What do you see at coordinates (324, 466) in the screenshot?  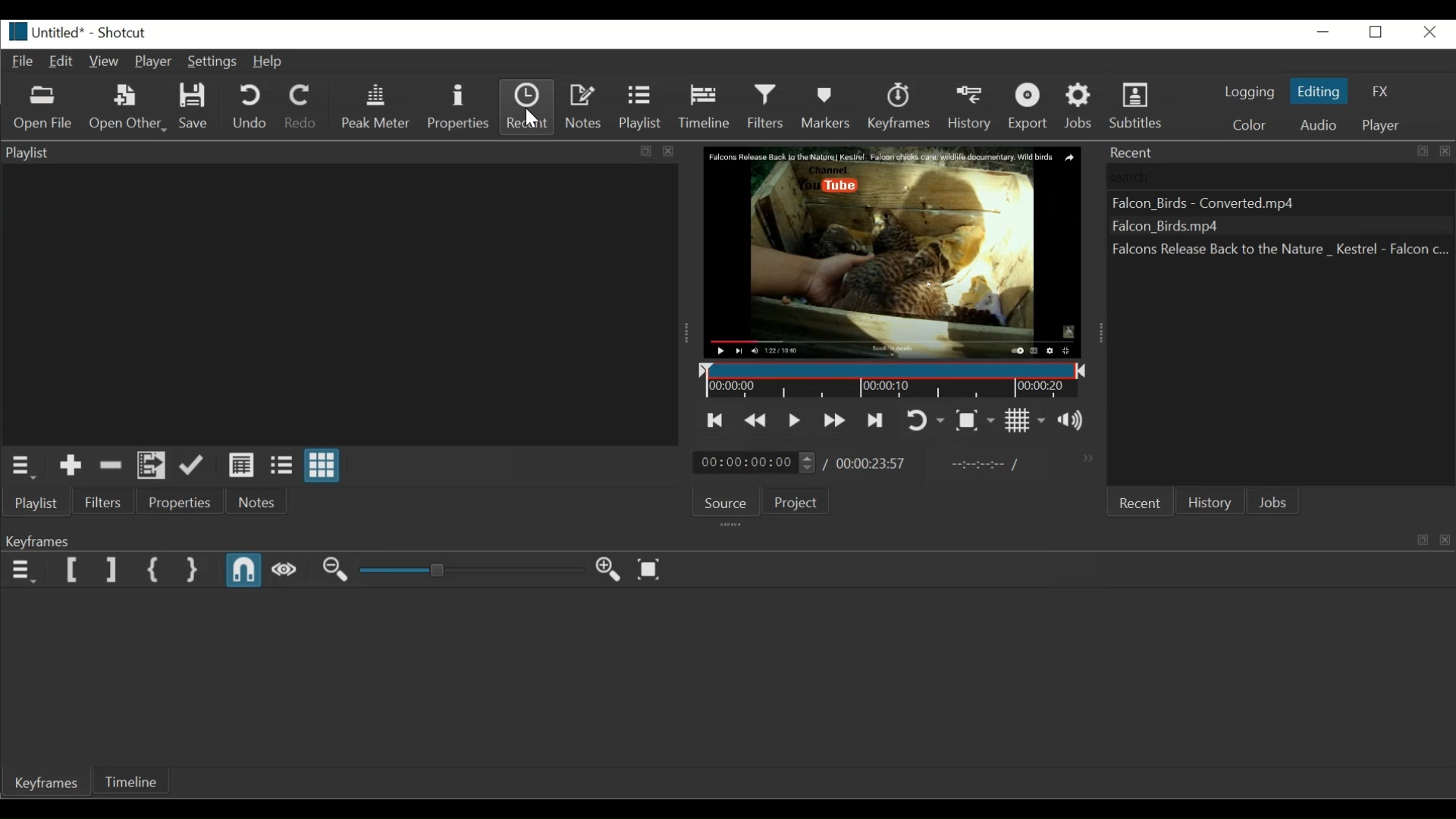 I see `View as icons` at bounding box center [324, 466].